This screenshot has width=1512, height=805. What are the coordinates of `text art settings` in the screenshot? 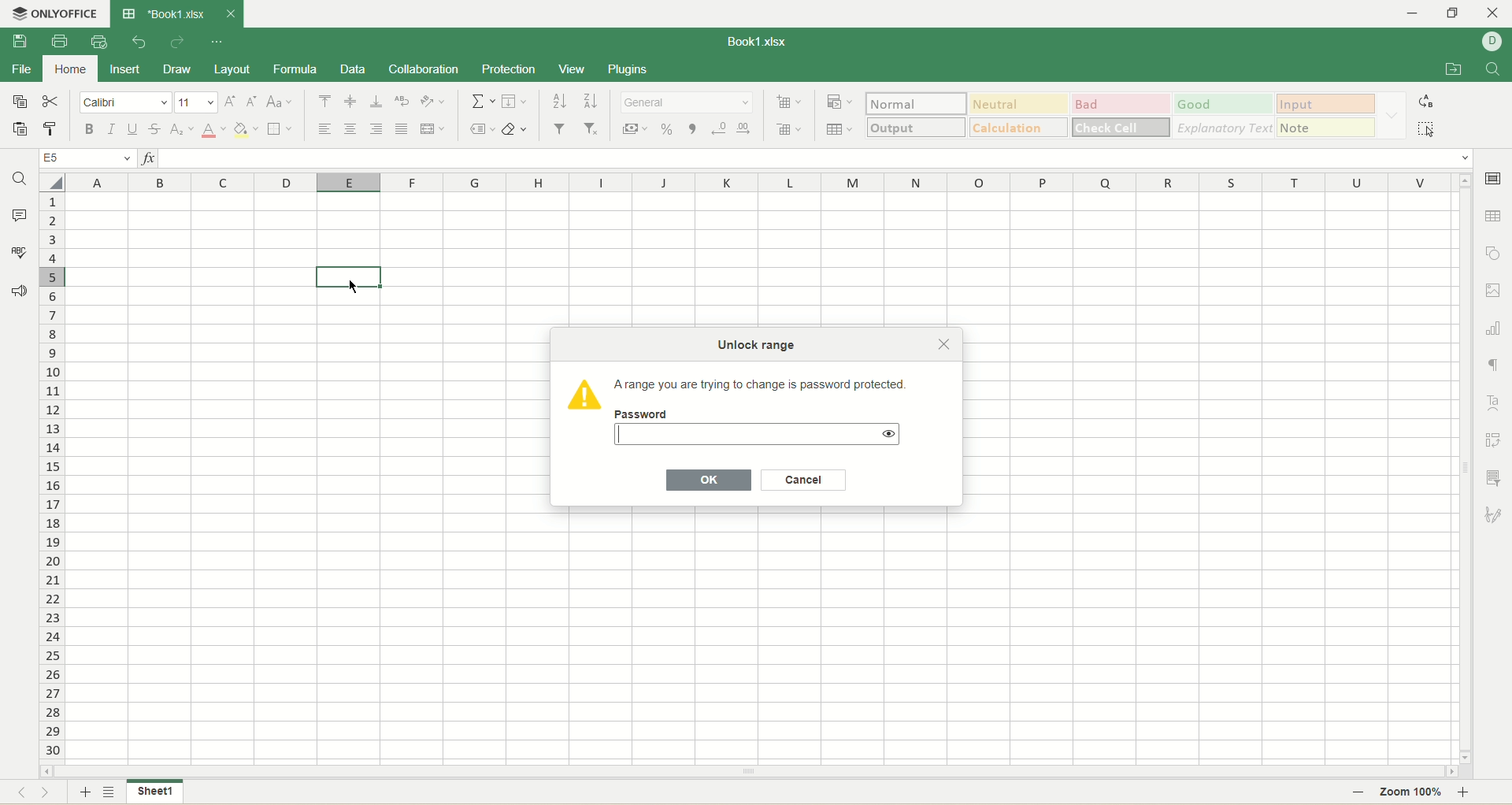 It's located at (1494, 403).